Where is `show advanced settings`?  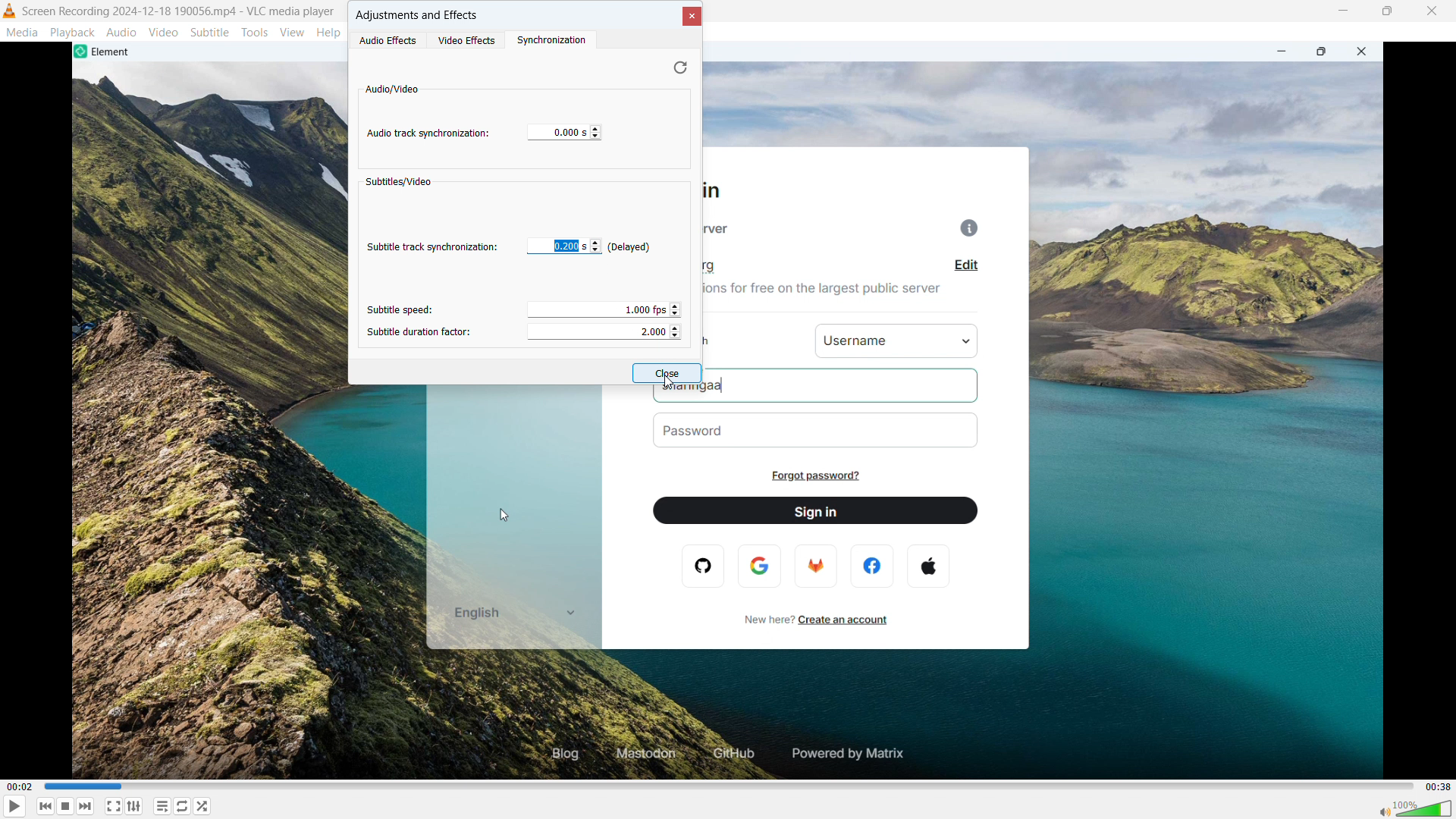
show advanced settings is located at coordinates (136, 806).